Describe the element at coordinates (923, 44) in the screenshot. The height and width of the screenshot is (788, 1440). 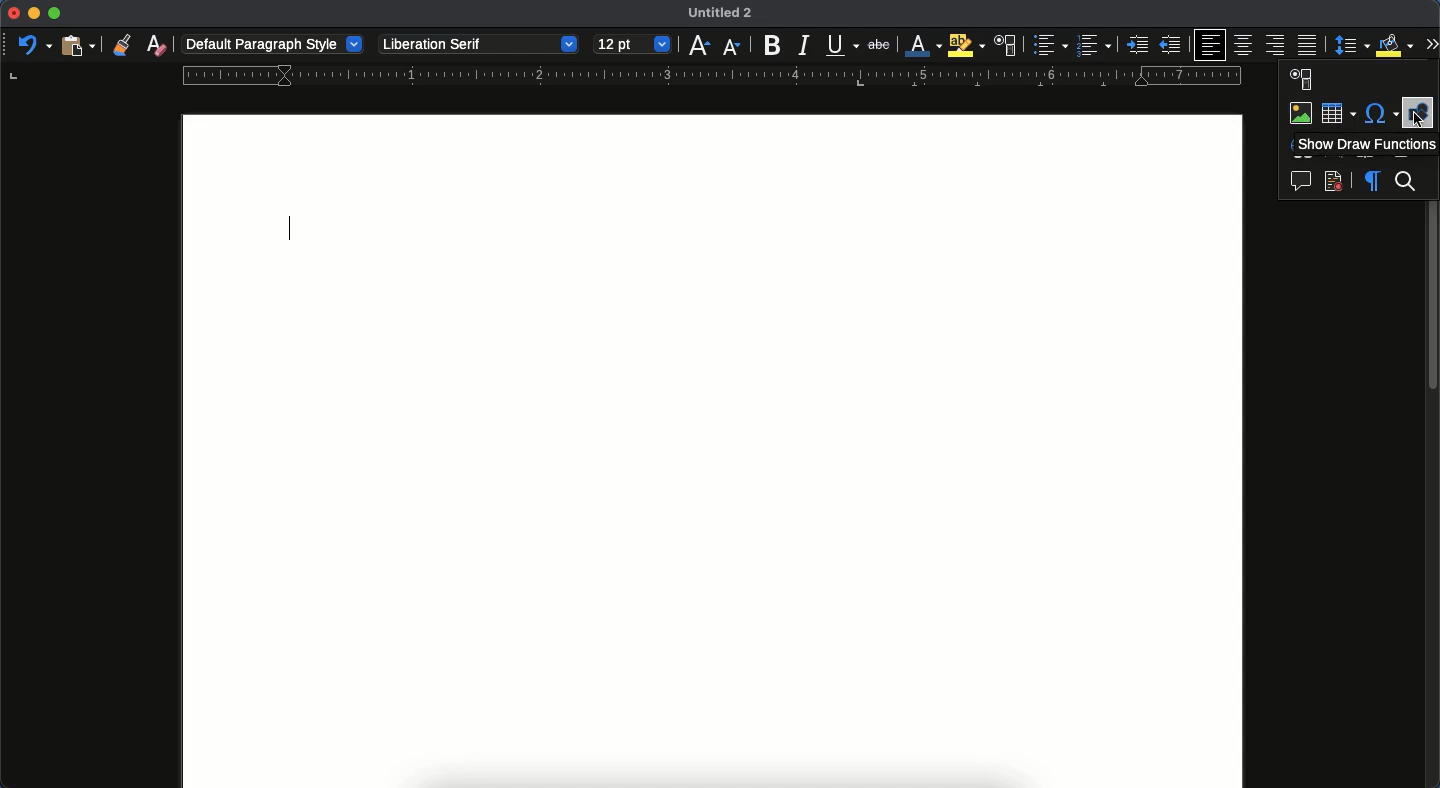
I see `font color` at that location.